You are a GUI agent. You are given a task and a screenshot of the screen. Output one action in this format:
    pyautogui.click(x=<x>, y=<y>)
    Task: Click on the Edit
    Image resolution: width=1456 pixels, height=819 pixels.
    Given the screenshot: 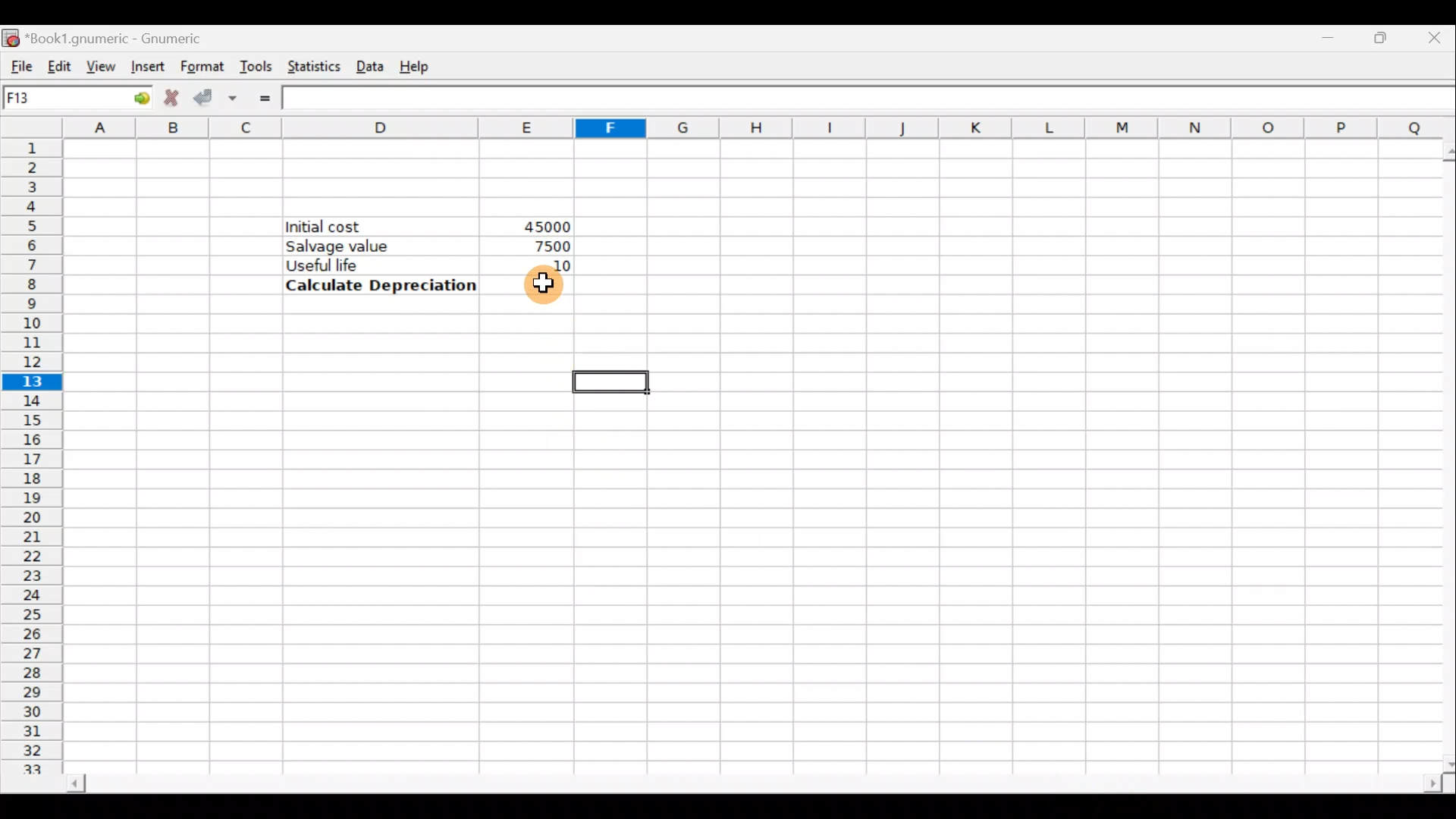 What is the action you would take?
    pyautogui.click(x=60, y=63)
    